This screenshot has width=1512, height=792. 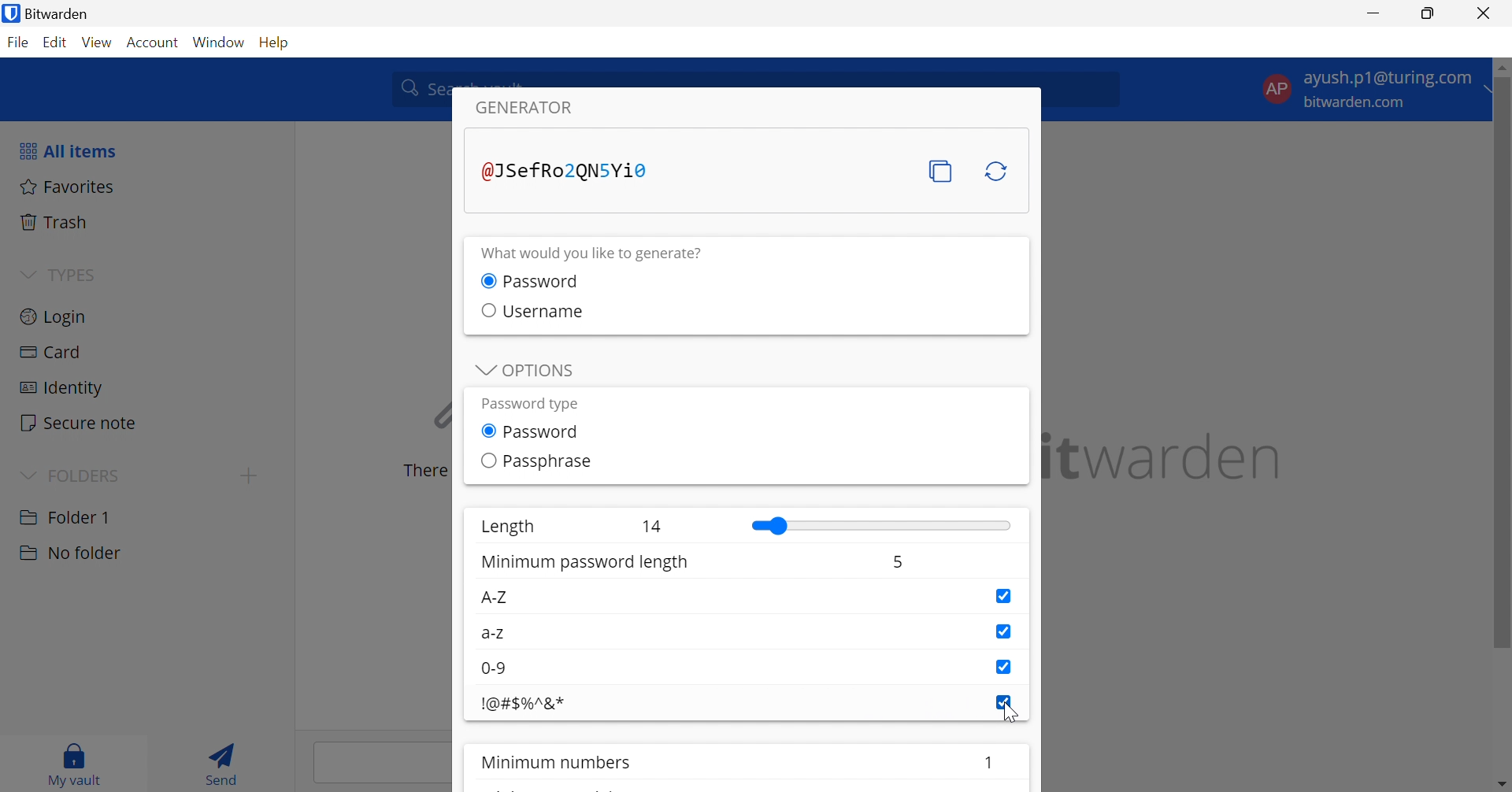 What do you see at coordinates (1012, 716) in the screenshot?
I see `cursor` at bounding box center [1012, 716].